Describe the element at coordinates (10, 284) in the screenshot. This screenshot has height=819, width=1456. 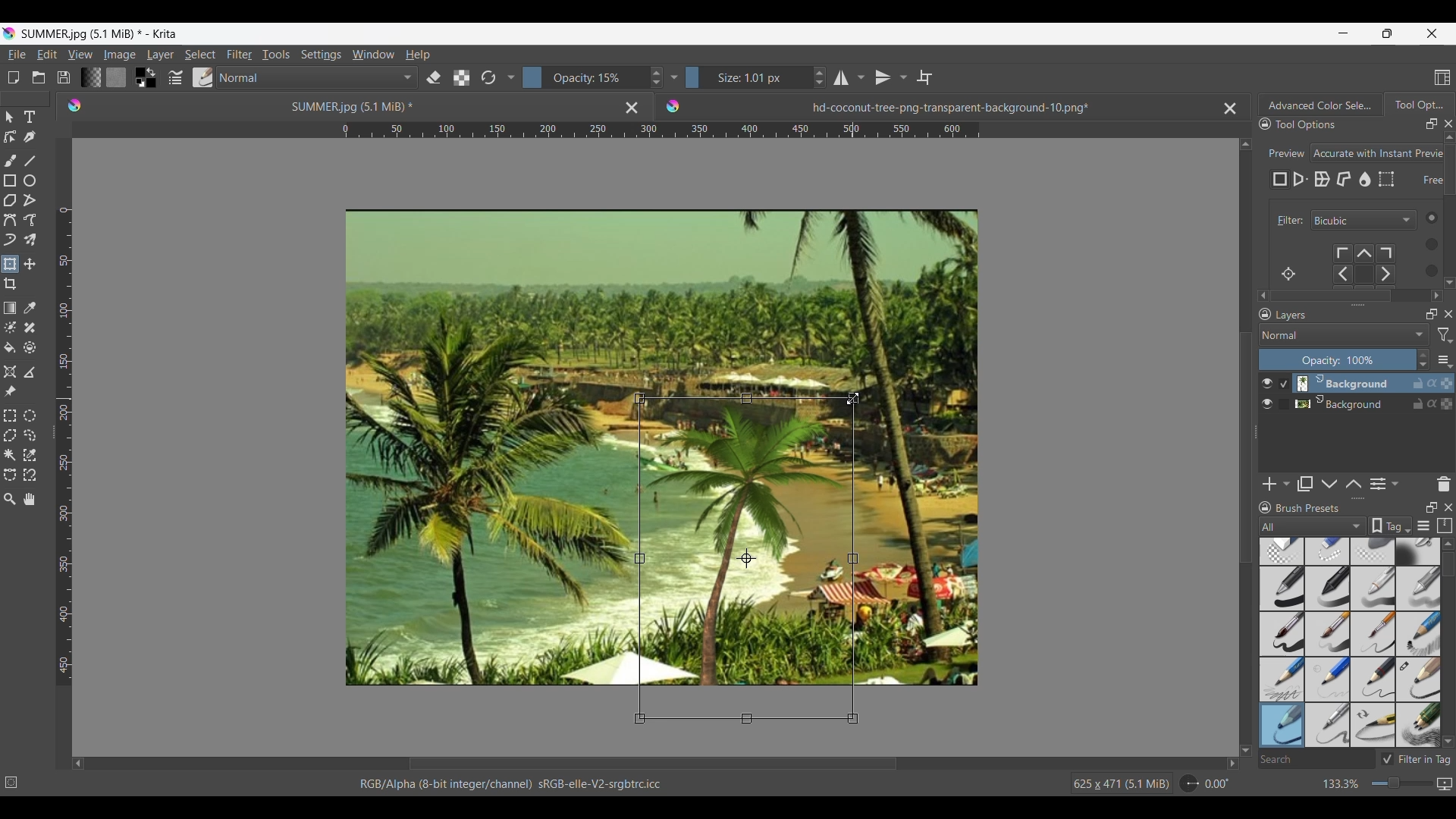
I see `Crop tool` at that location.